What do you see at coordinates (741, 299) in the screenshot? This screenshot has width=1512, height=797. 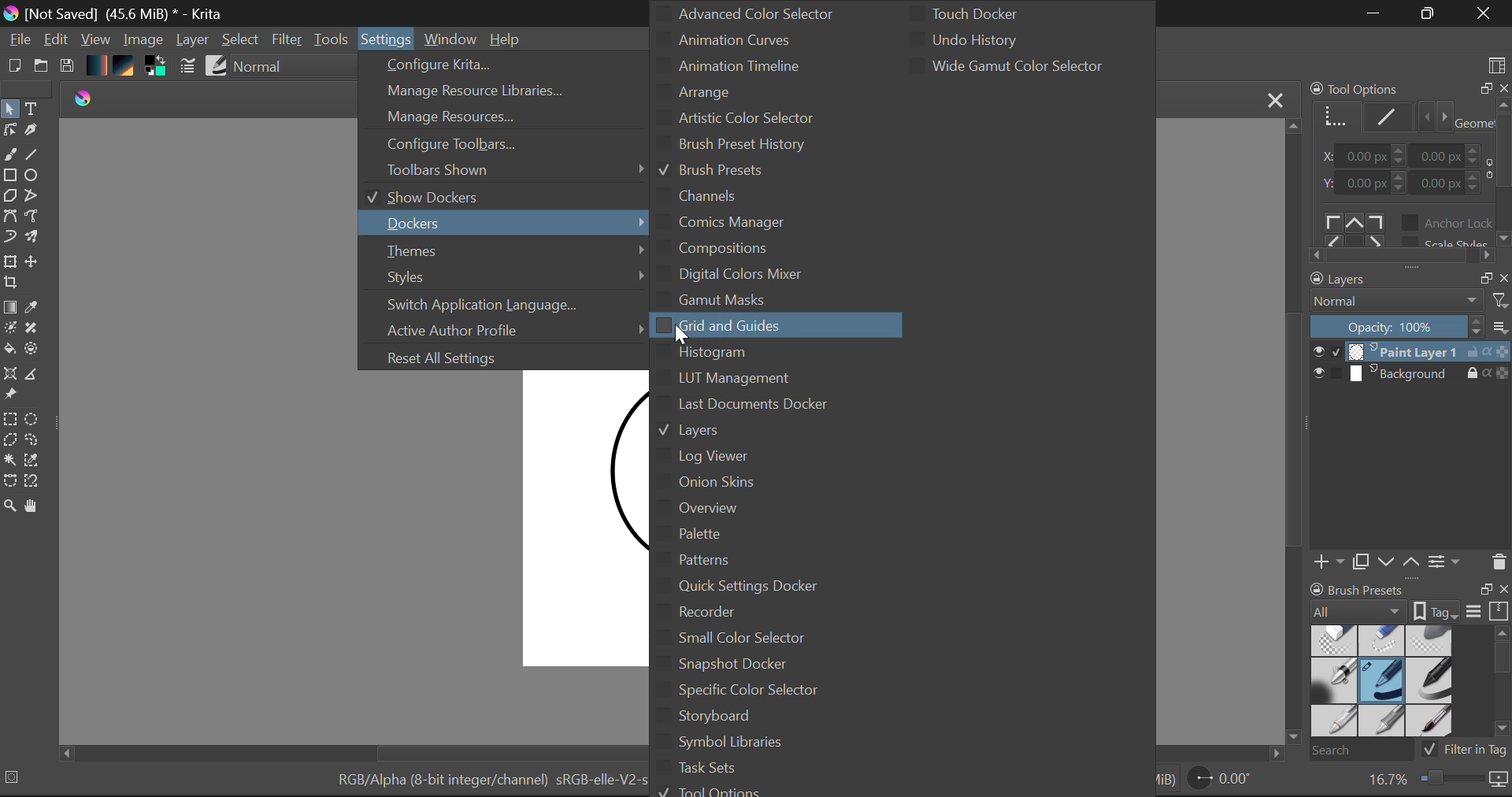 I see `Gamut Masks` at bounding box center [741, 299].